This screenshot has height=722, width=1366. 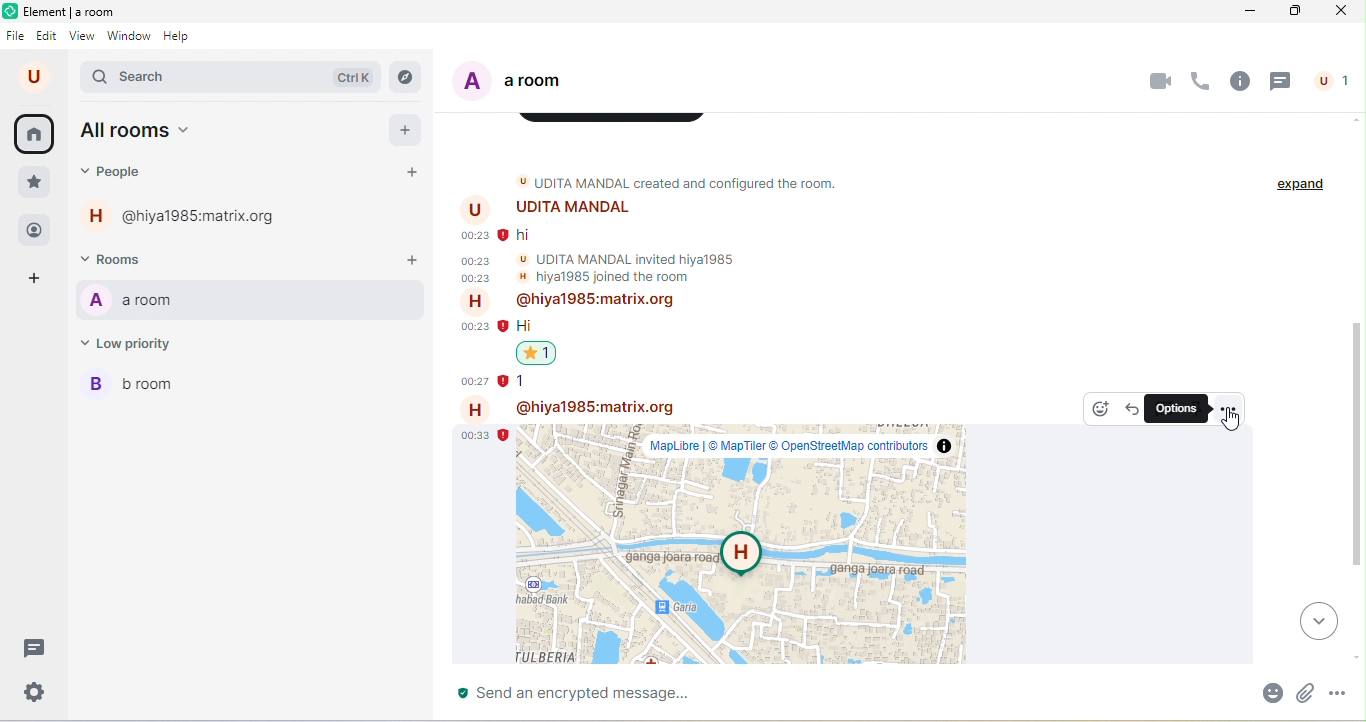 What do you see at coordinates (1179, 409) in the screenshot?
I see `options dialog box` at bounding box center [1179, 409].